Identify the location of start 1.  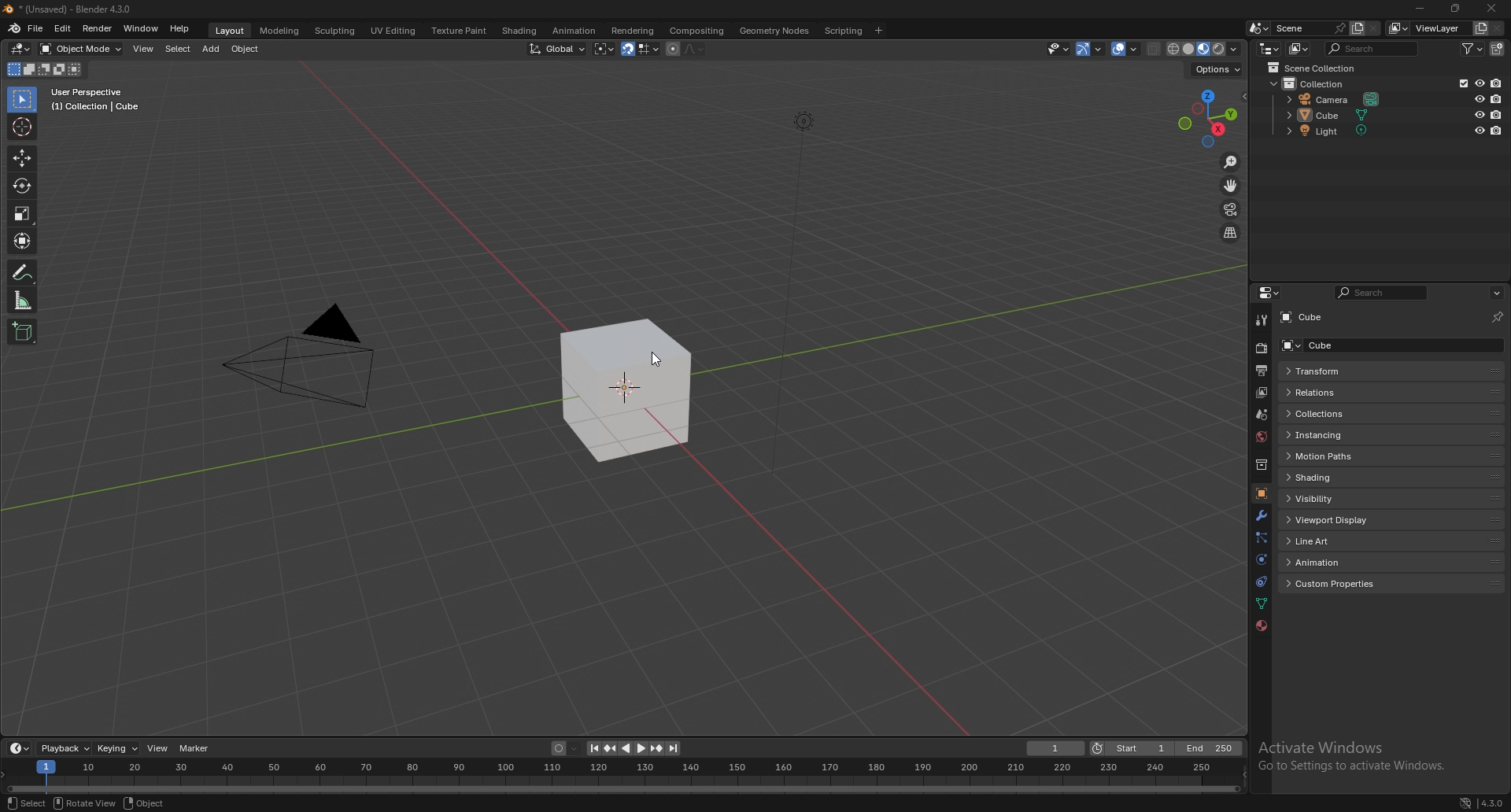
(1132, 749).